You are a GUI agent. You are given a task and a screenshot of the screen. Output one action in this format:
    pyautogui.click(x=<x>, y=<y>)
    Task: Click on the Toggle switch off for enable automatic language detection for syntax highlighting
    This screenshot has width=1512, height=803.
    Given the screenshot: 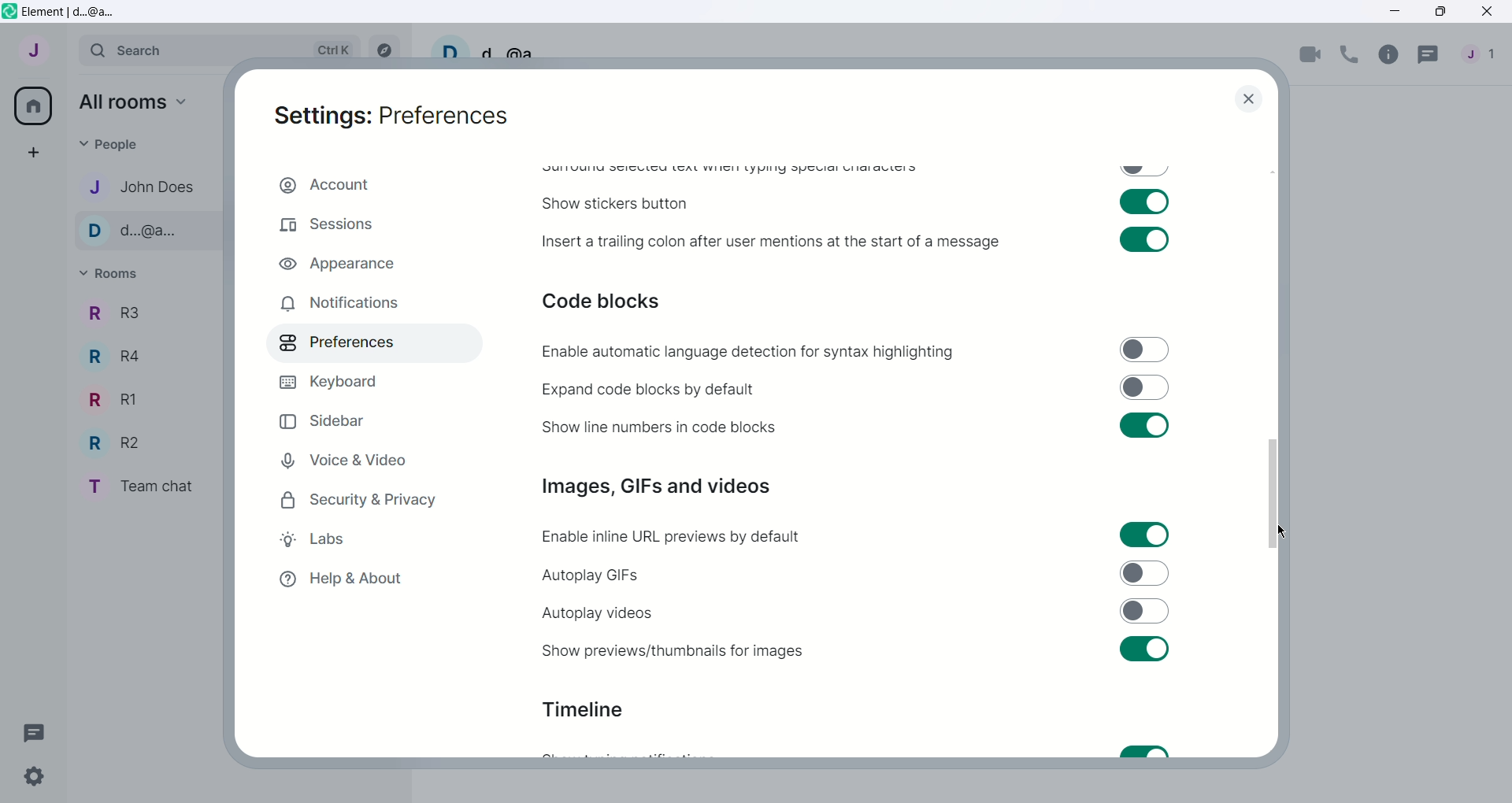 What is the action you would take?
    pyautogui.click(x=1144, y=350)
    